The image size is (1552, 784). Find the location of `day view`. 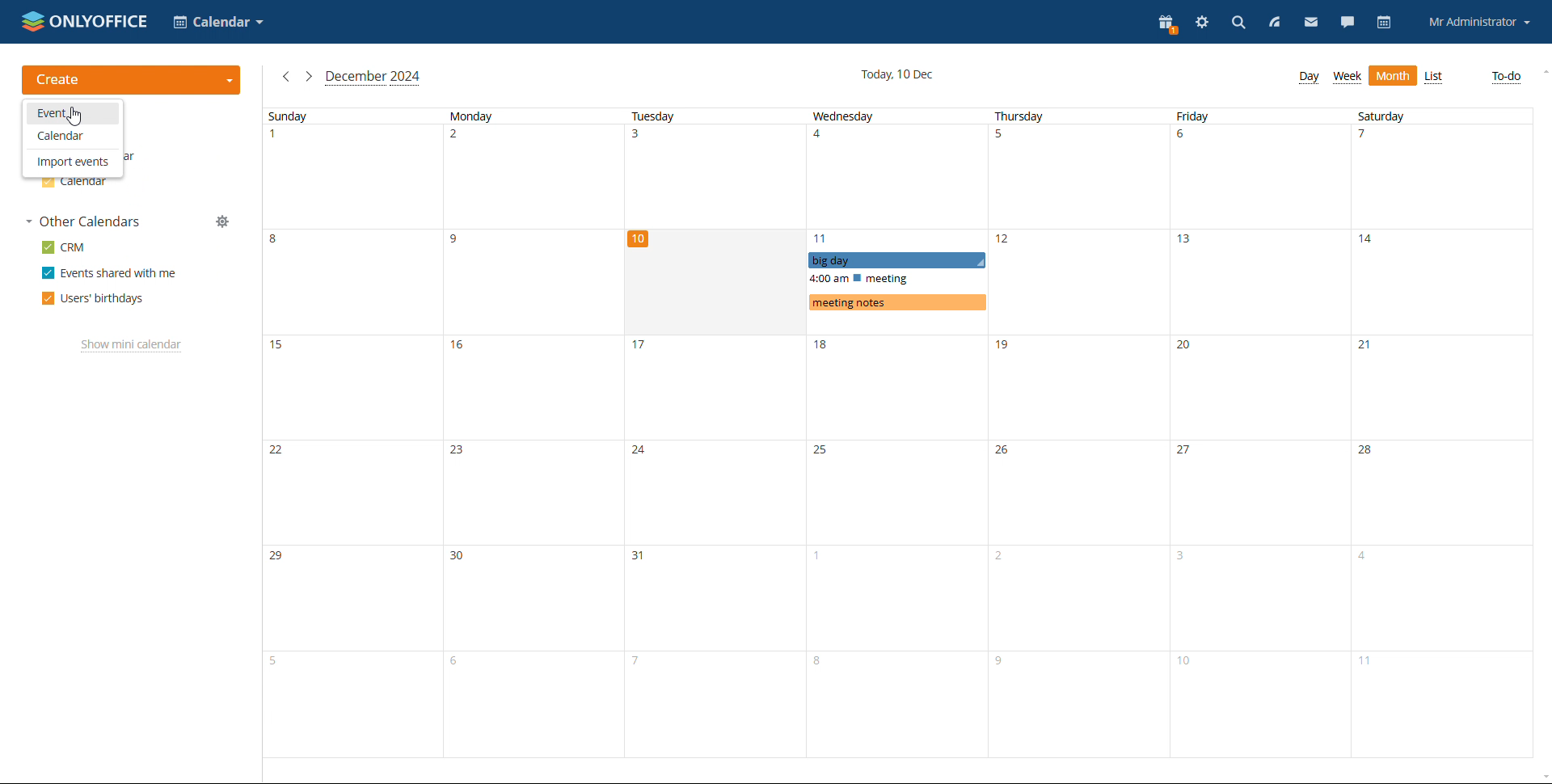

day view is located at coordinates (1309, 78).